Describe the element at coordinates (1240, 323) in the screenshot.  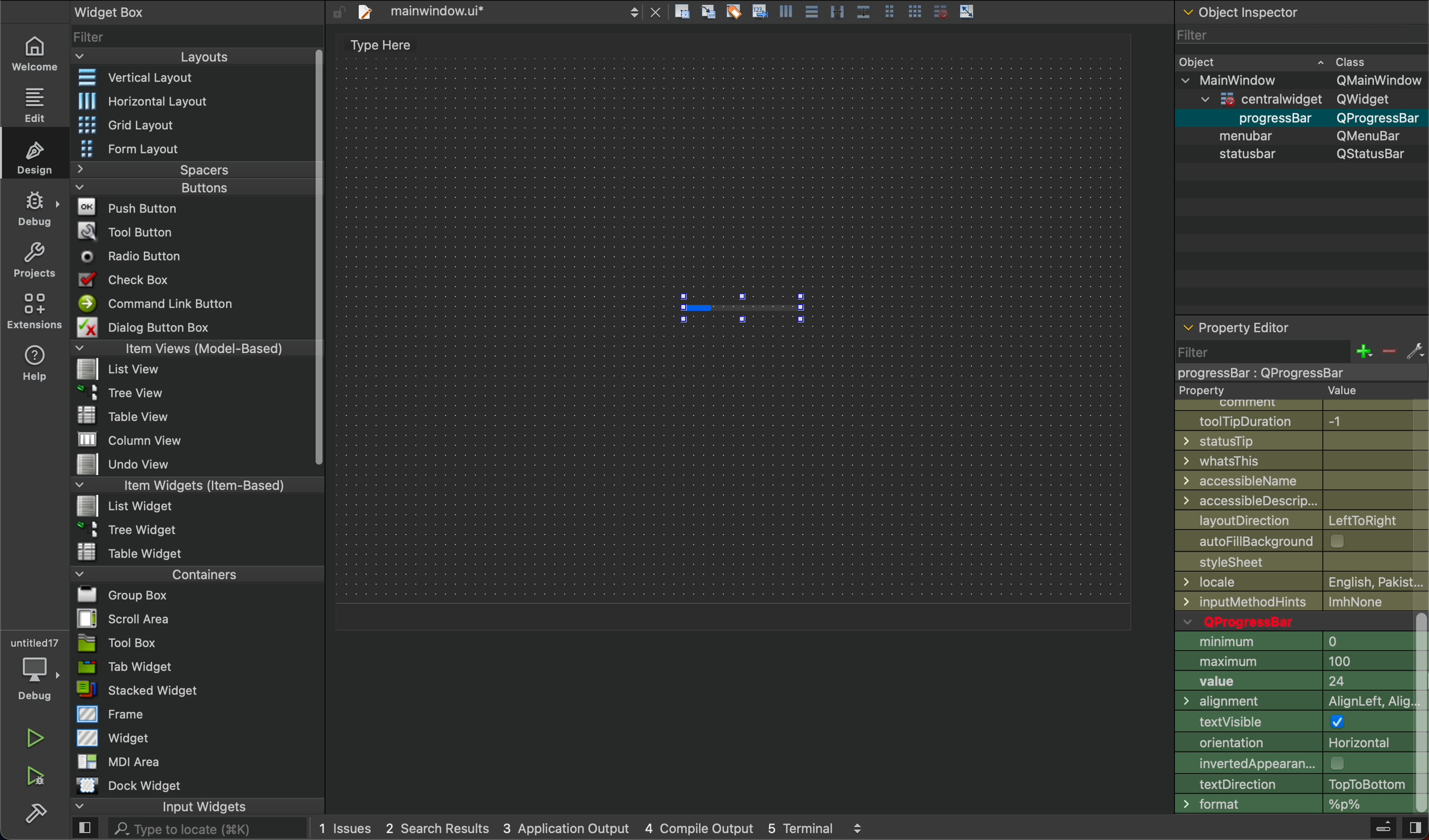
I see `property editor` at that location.